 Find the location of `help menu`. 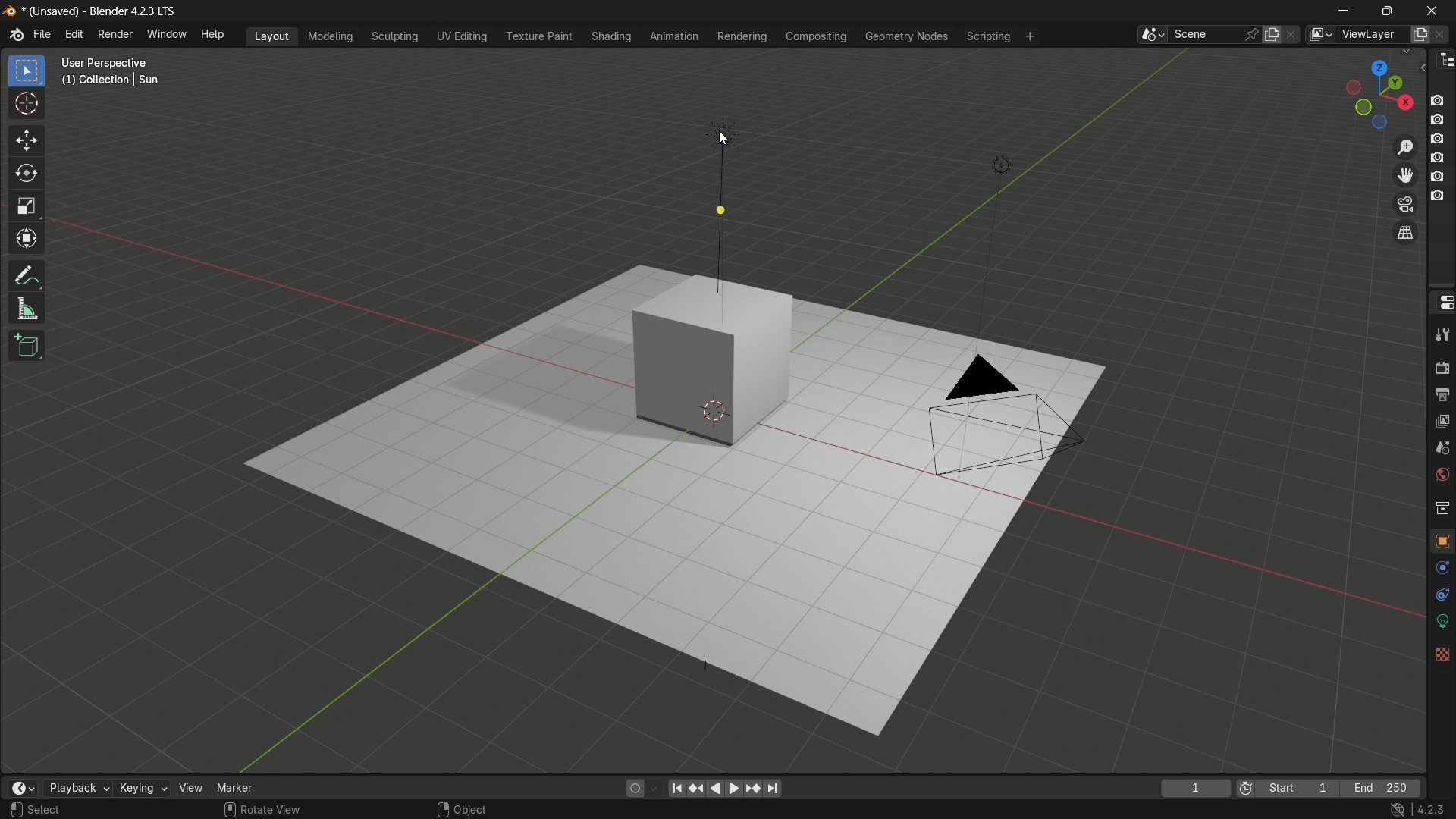

help menu is located at coordinates (212, 34).